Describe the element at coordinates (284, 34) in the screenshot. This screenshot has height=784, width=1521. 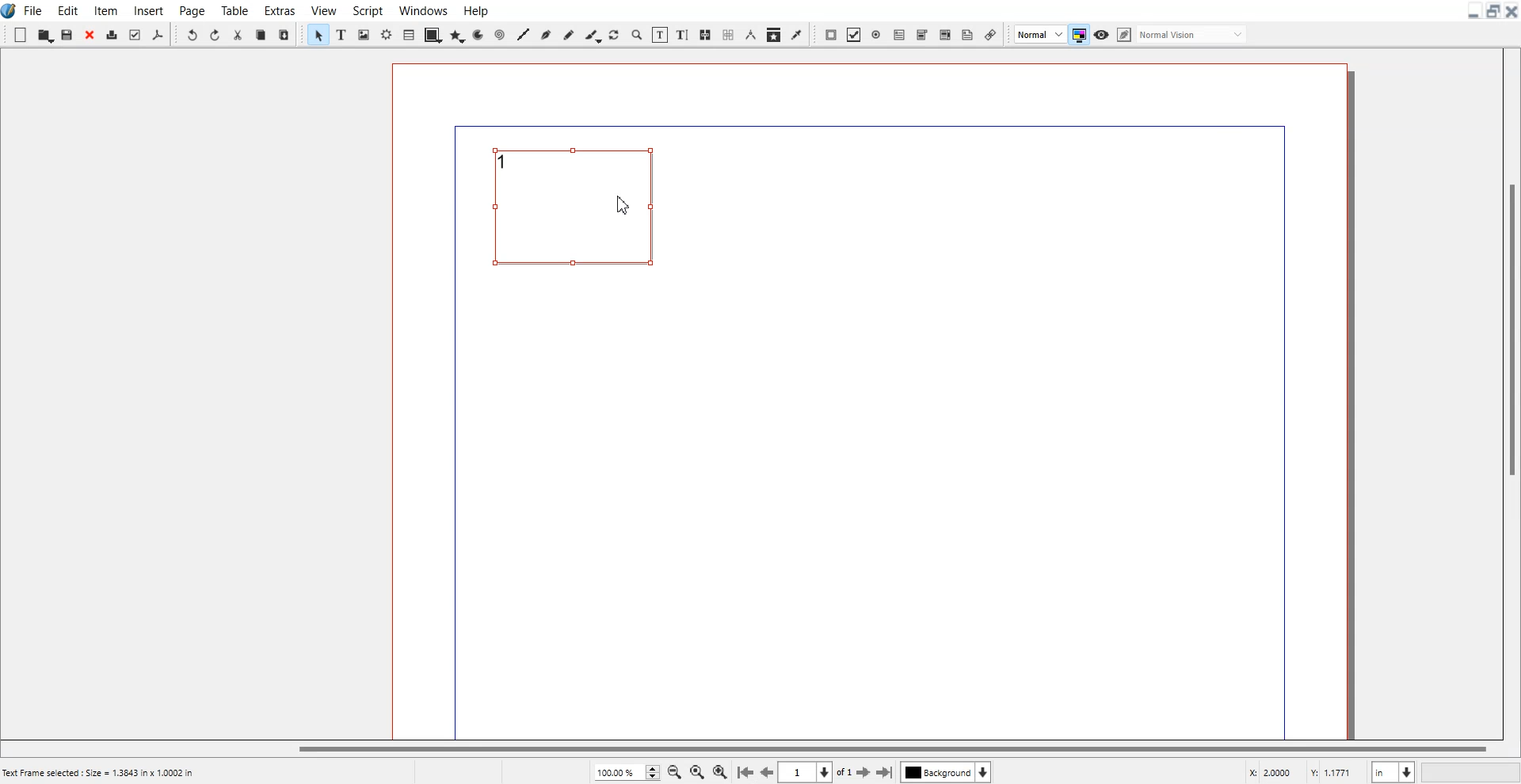
I see `Paste` at that location.